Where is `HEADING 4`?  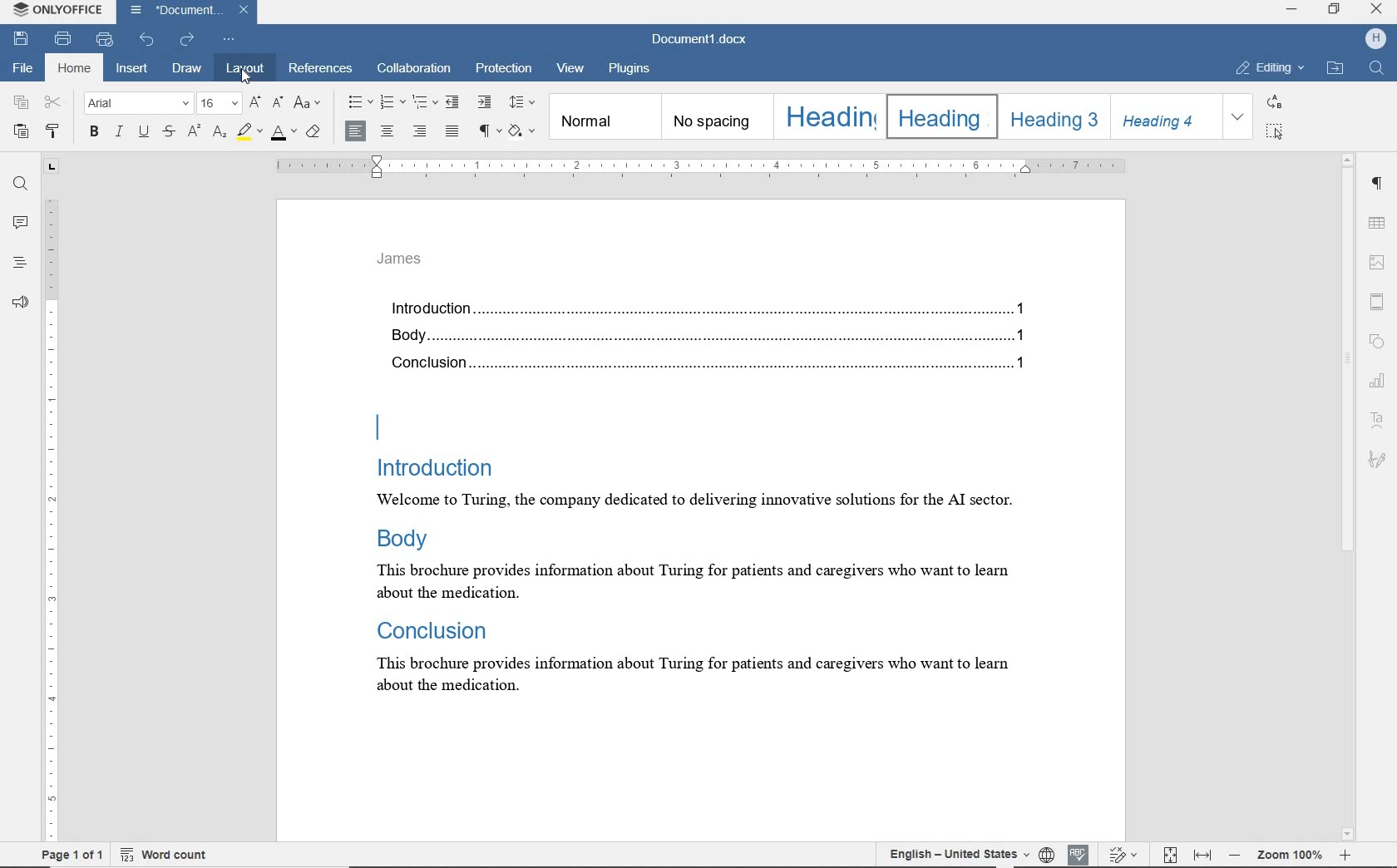
HEADING 4 is located at coordinates (1165, 116).